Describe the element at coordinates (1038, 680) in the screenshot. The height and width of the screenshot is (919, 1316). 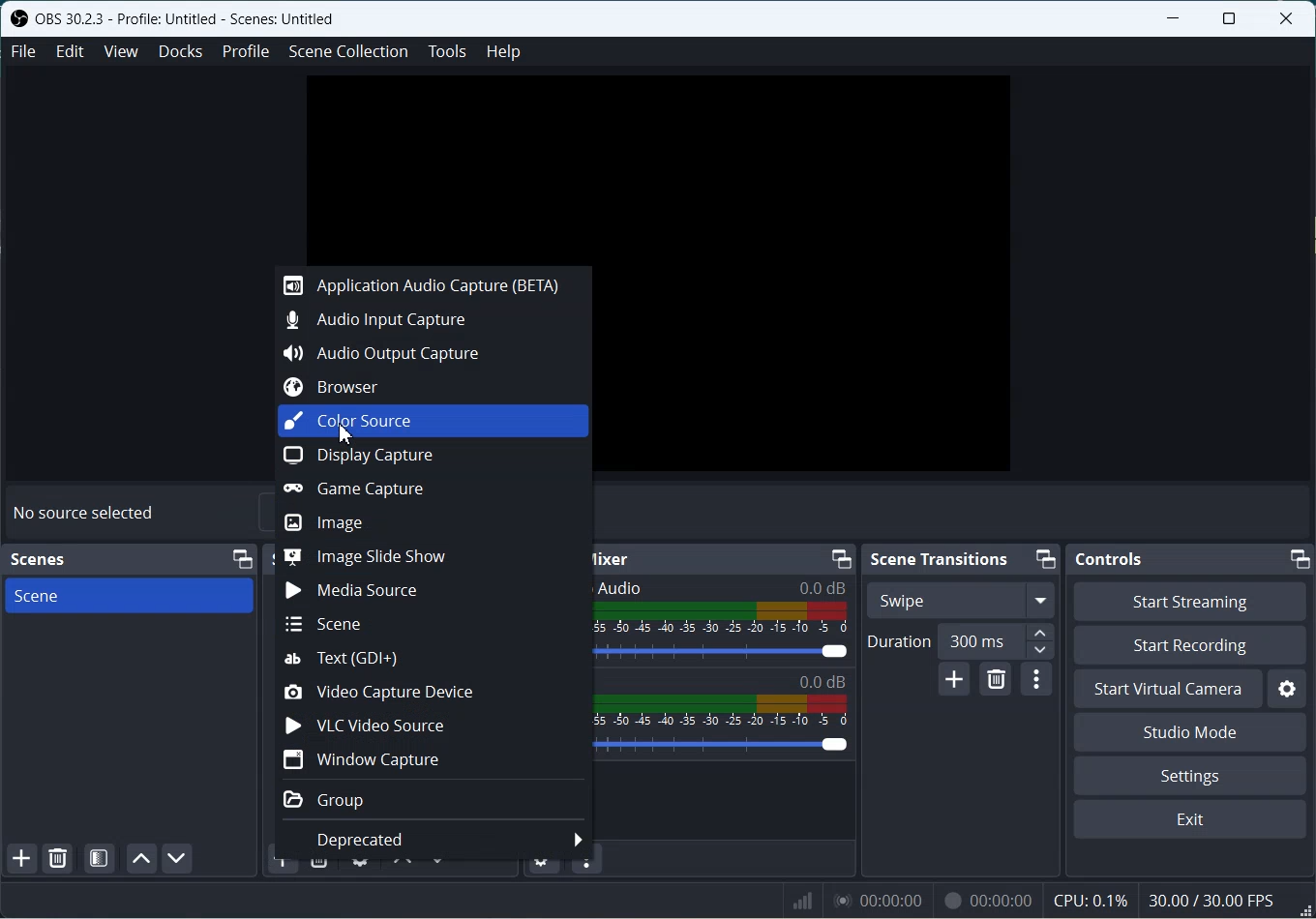
I see `Transition properties` at that location.